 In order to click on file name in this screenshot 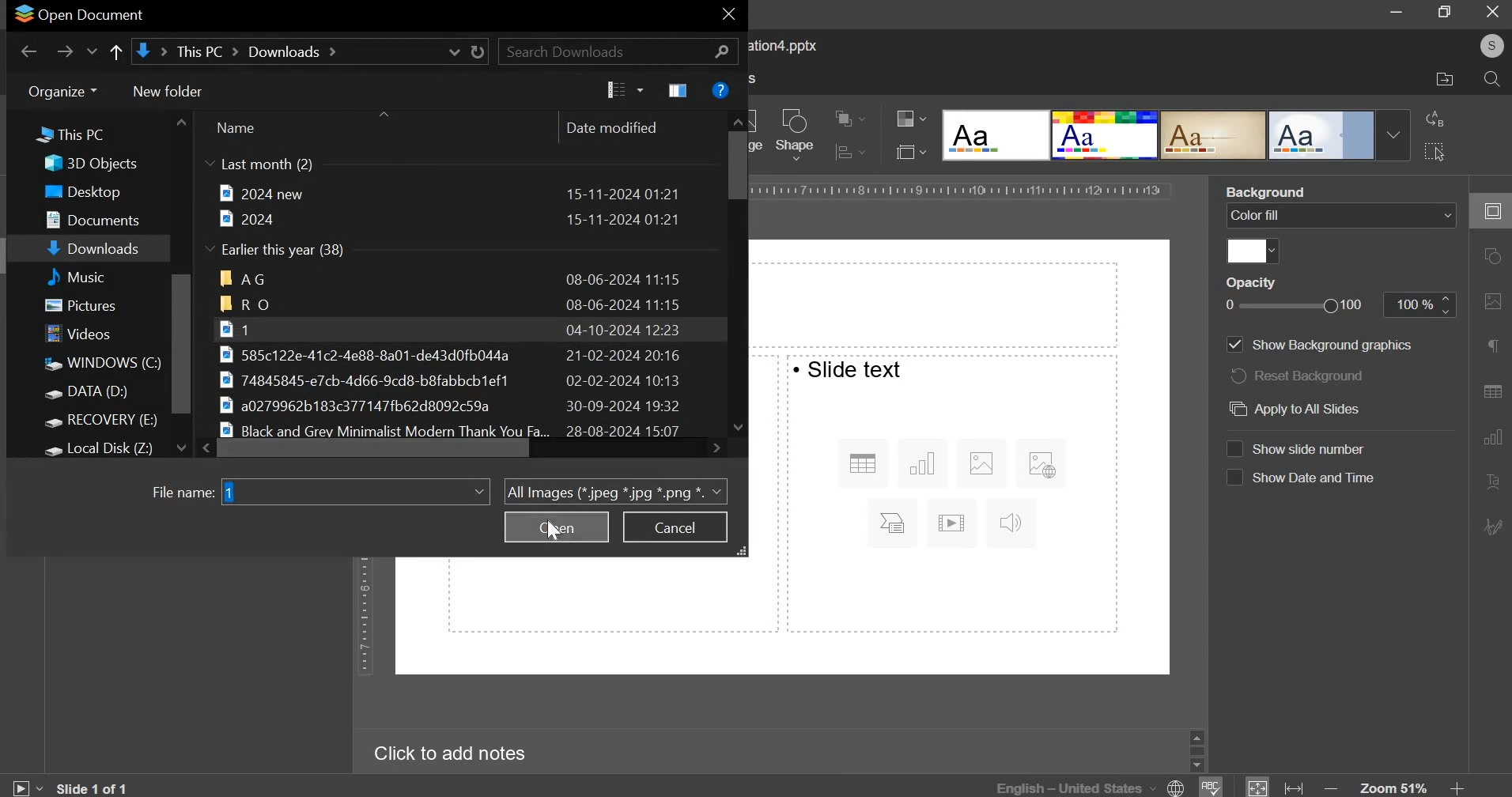, I will do `click(182, 493)`.